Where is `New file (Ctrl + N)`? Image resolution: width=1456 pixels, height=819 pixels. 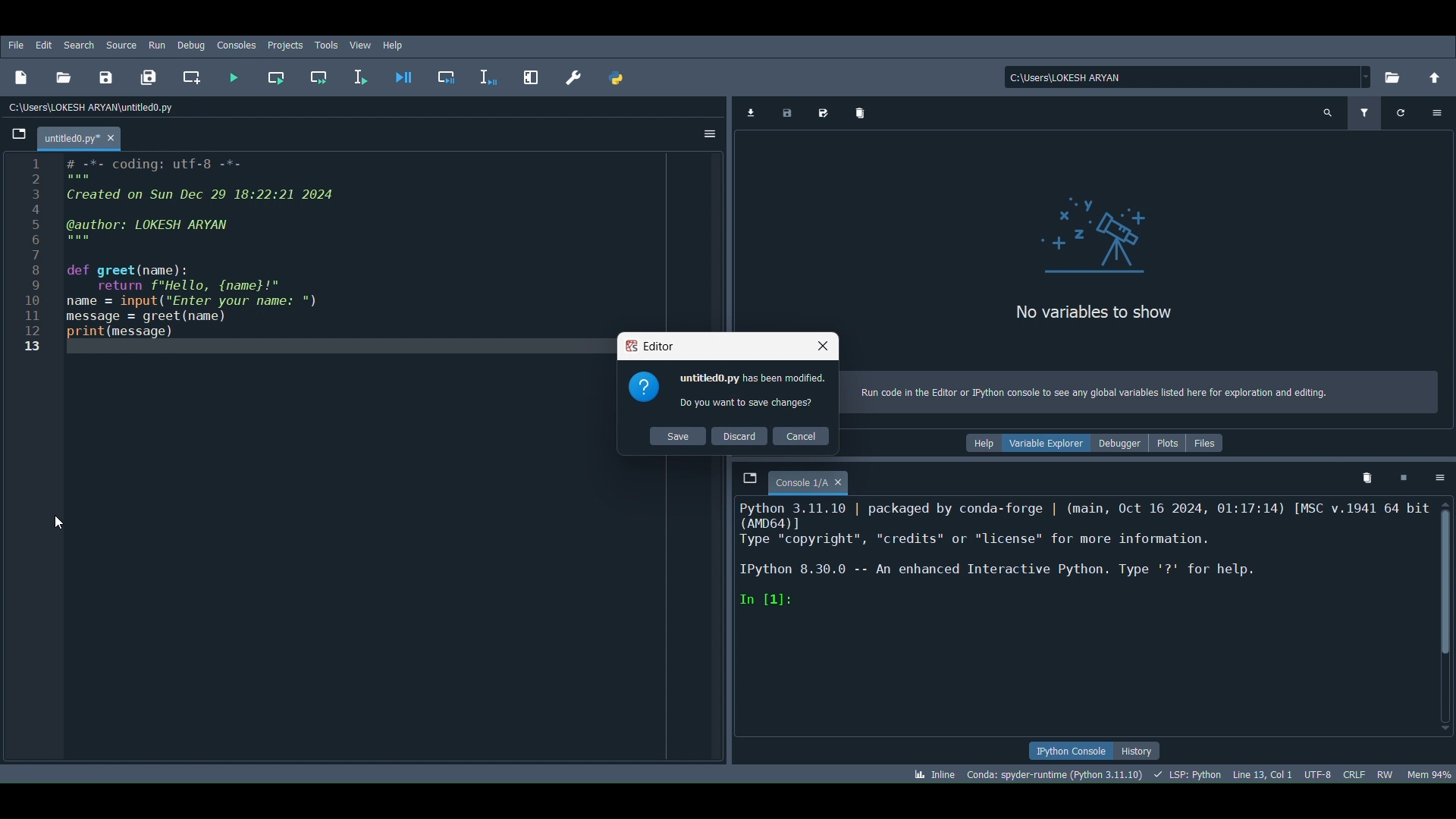 New file (Ctrl + N) is located at coordinates (21, 77).